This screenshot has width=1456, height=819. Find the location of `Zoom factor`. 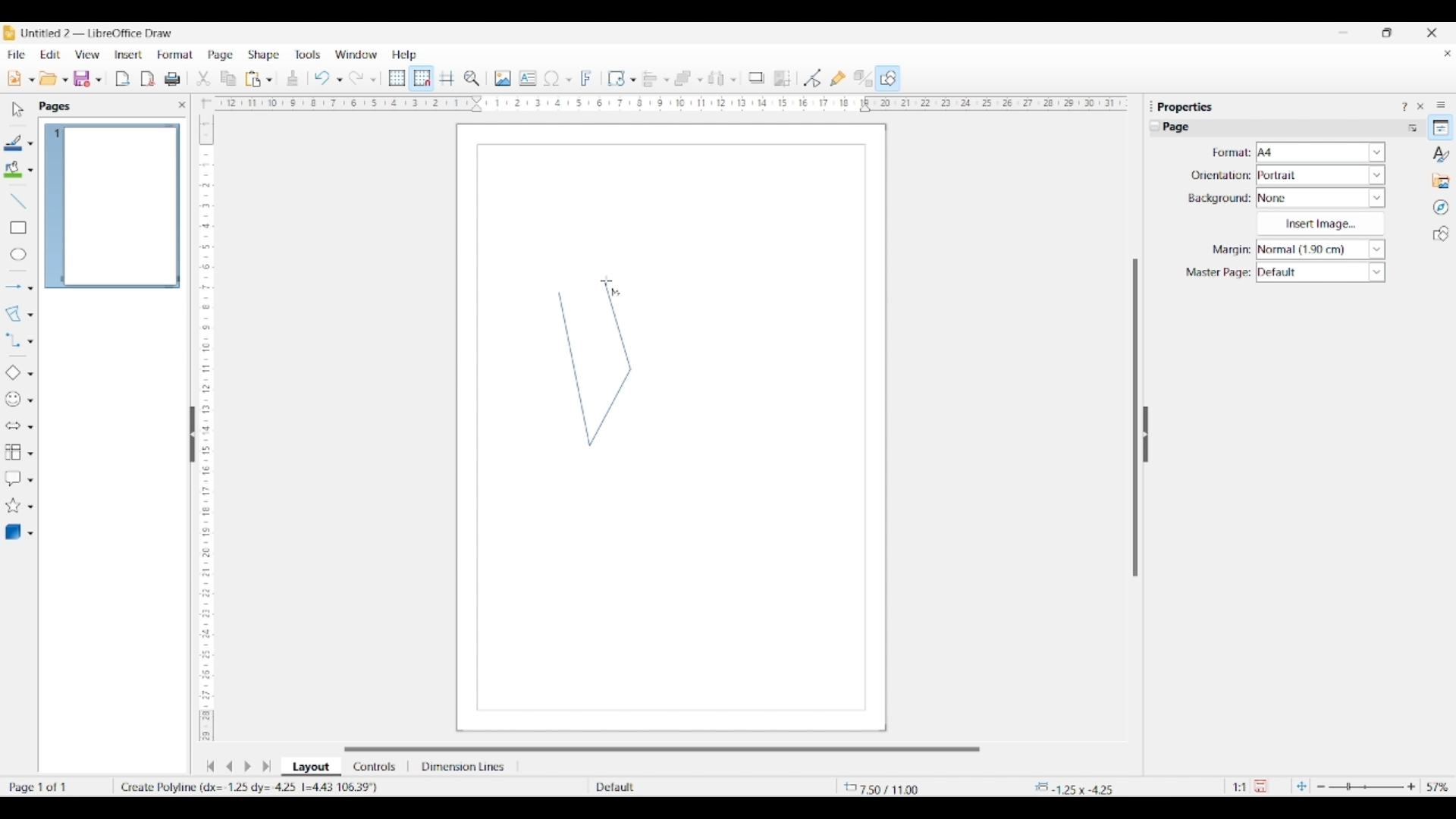

Zoom factor is located at coordinates (1439, 787).